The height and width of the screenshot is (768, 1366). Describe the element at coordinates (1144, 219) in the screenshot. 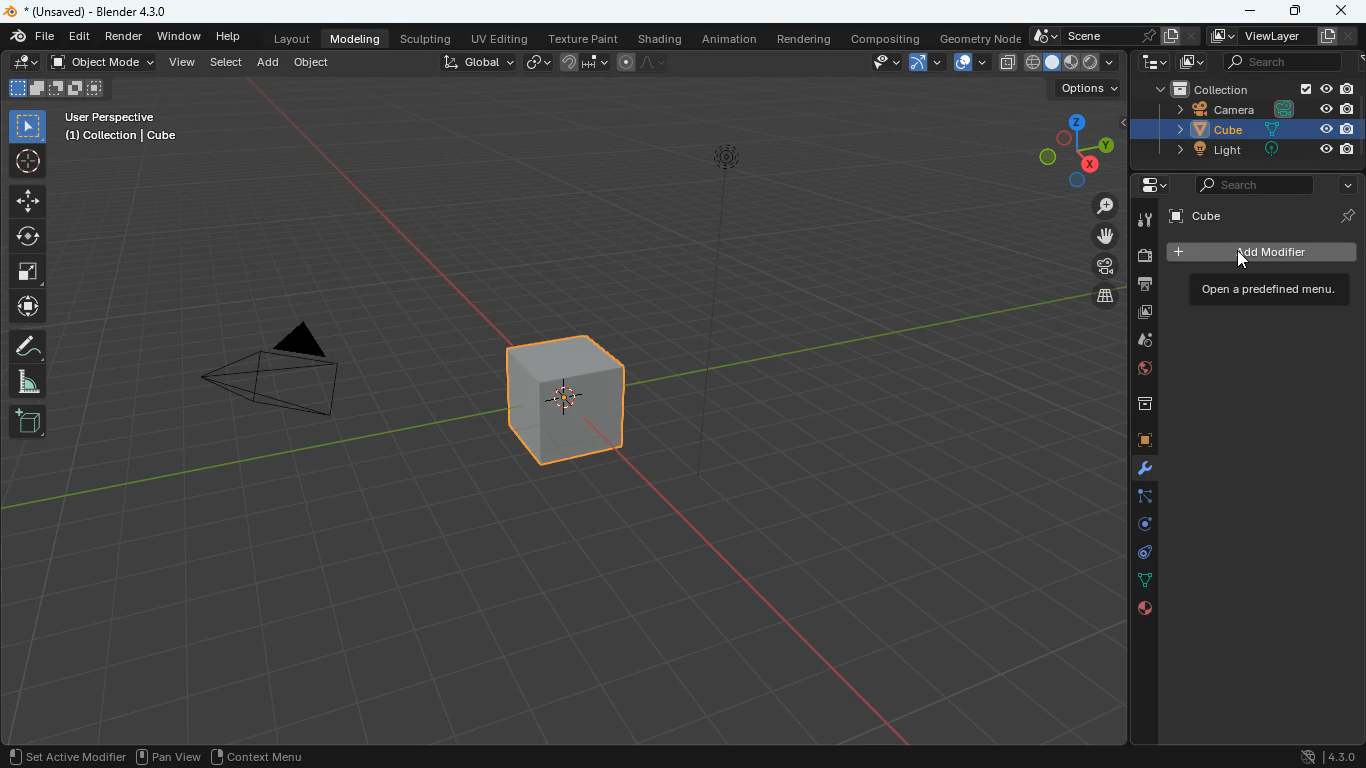

I see `tools` at that location.